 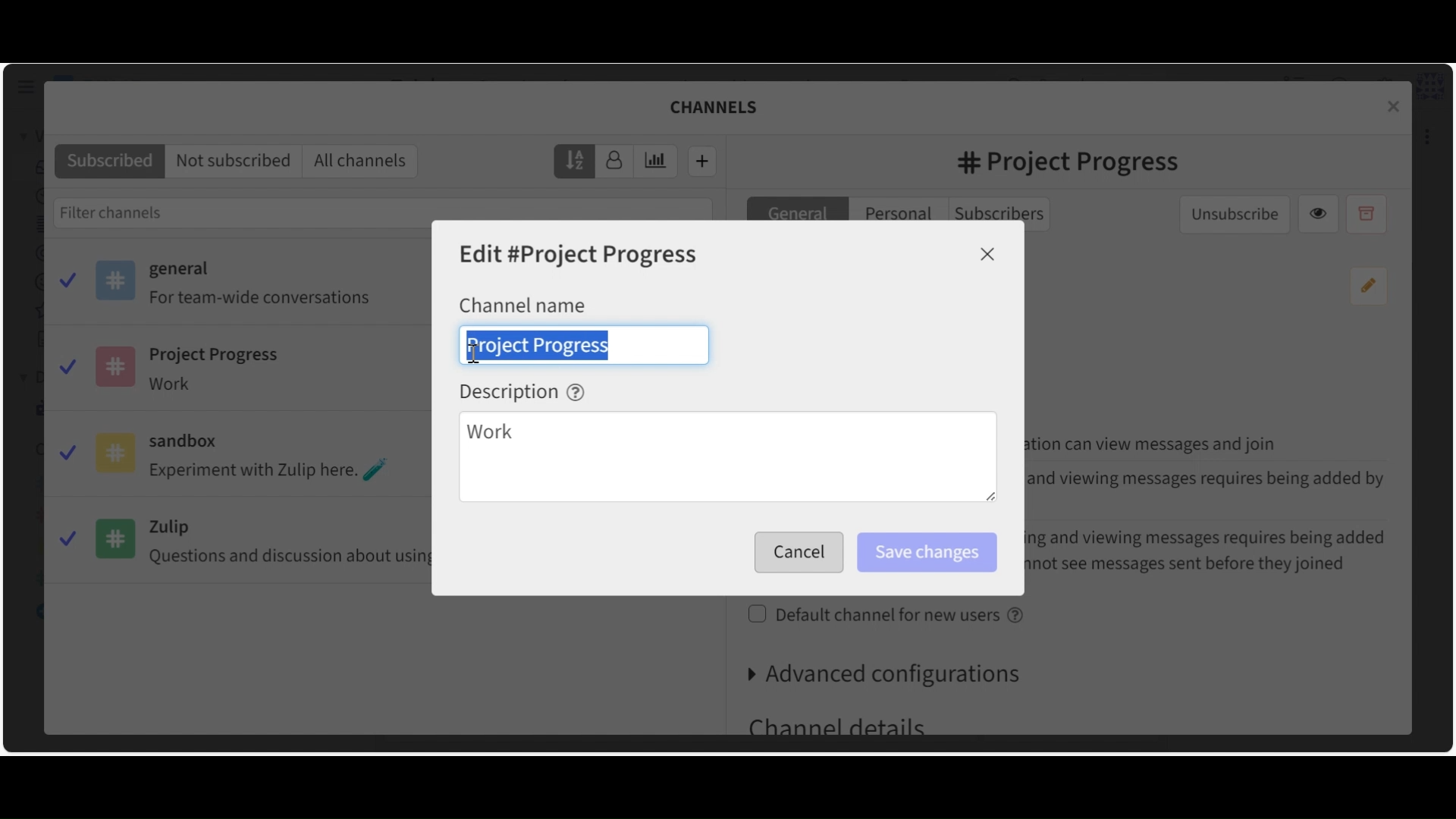 What do you see at coordinates (584, 344) in the screenshot?
I see `Channel name Field` at bounding box center [584, 344].